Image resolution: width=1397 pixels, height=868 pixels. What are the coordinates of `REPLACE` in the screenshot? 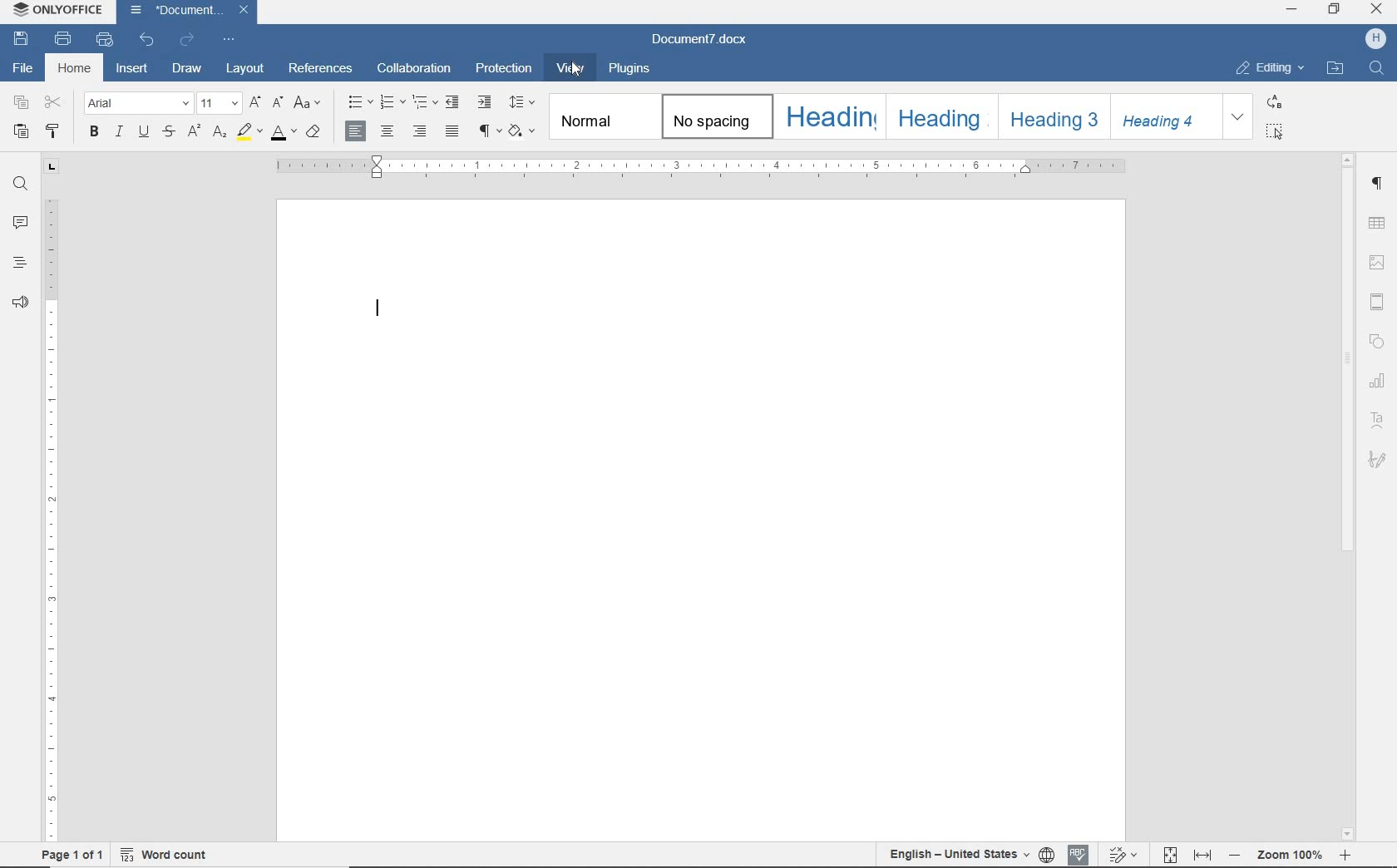 It's located at (1274, 102).